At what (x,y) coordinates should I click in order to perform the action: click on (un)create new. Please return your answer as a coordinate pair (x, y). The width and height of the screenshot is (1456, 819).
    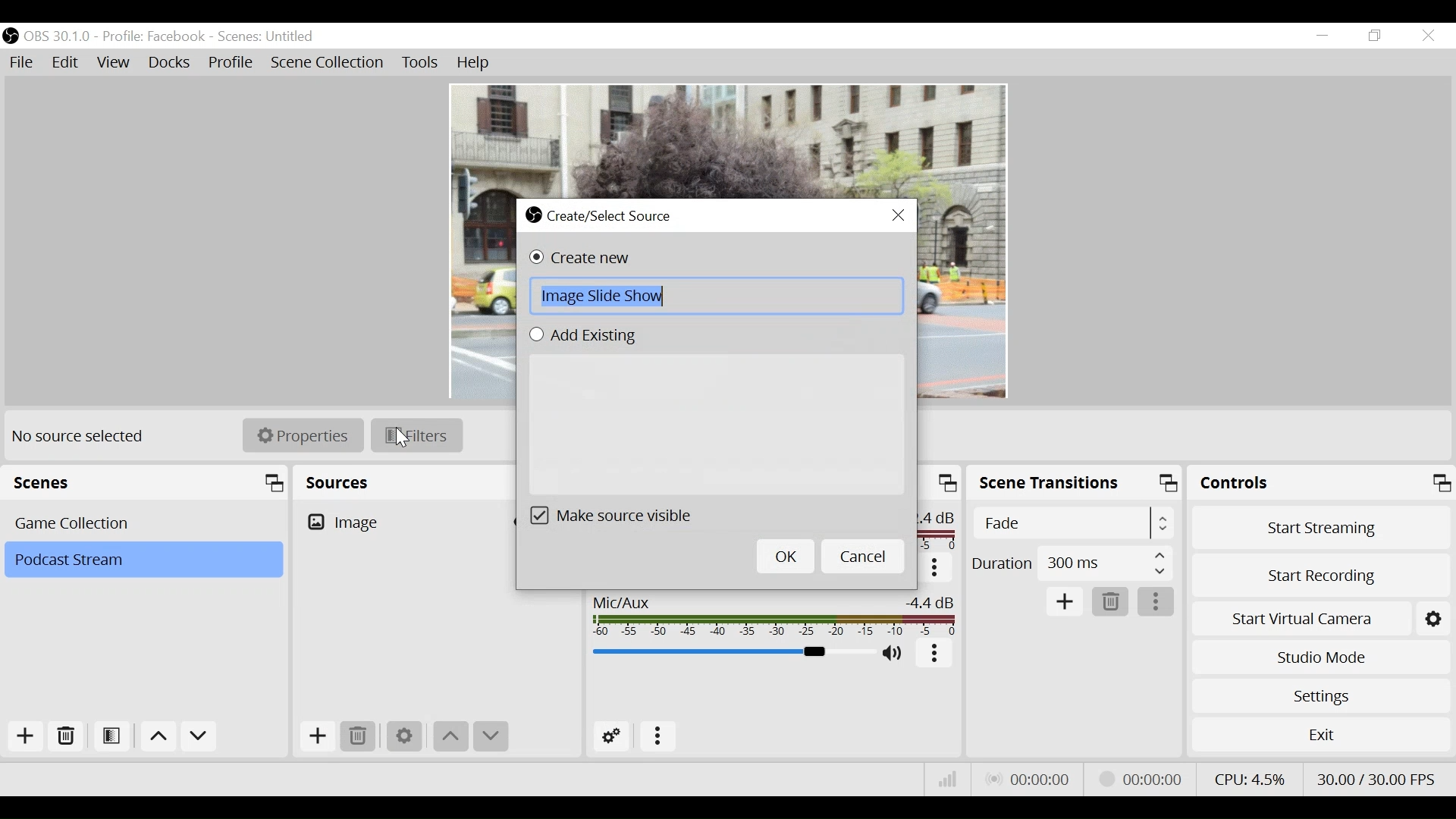
    Looking at the image, I should click on (585, 258).